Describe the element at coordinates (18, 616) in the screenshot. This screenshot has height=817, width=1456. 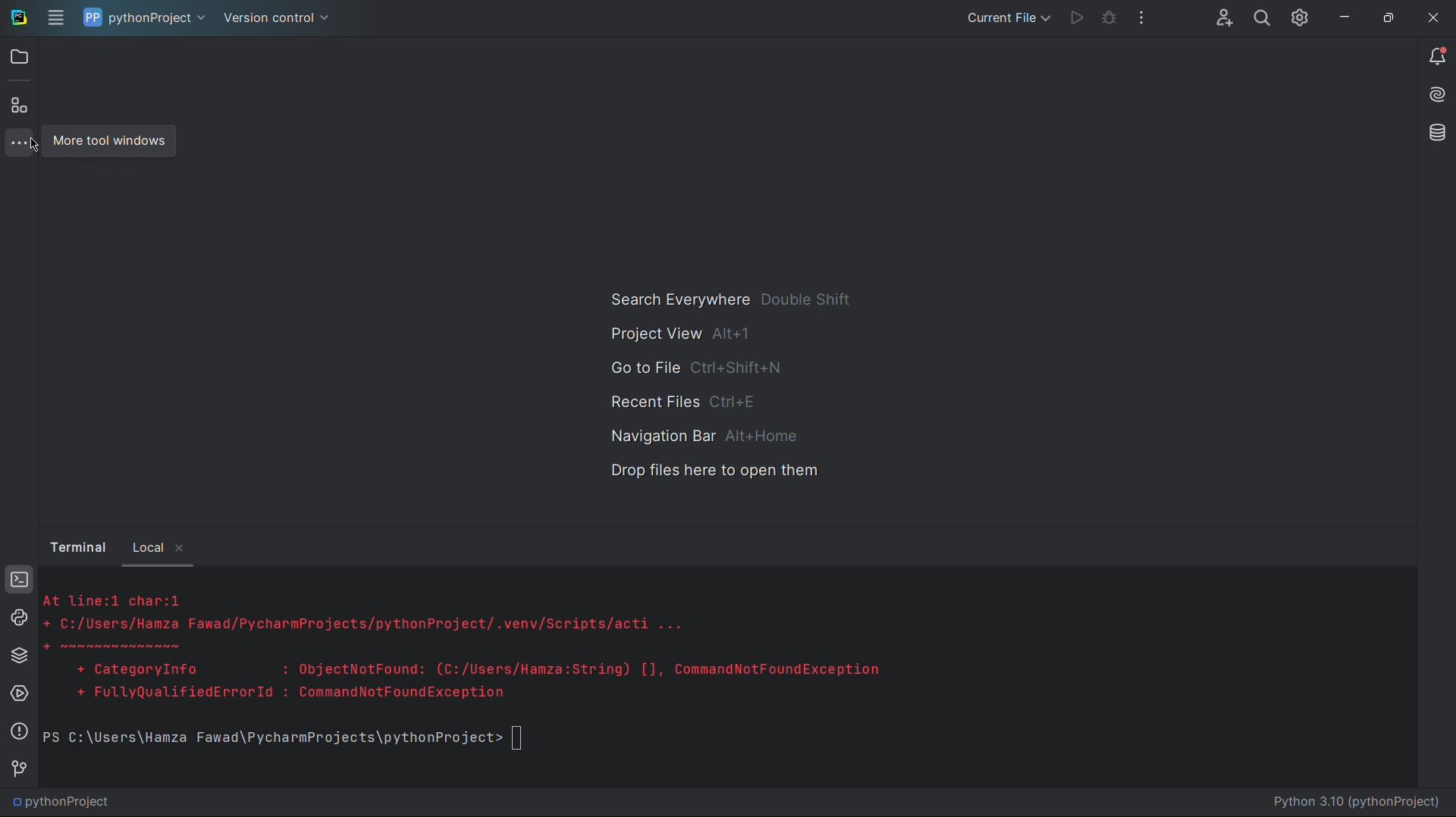
I see `Python Console` at that location.